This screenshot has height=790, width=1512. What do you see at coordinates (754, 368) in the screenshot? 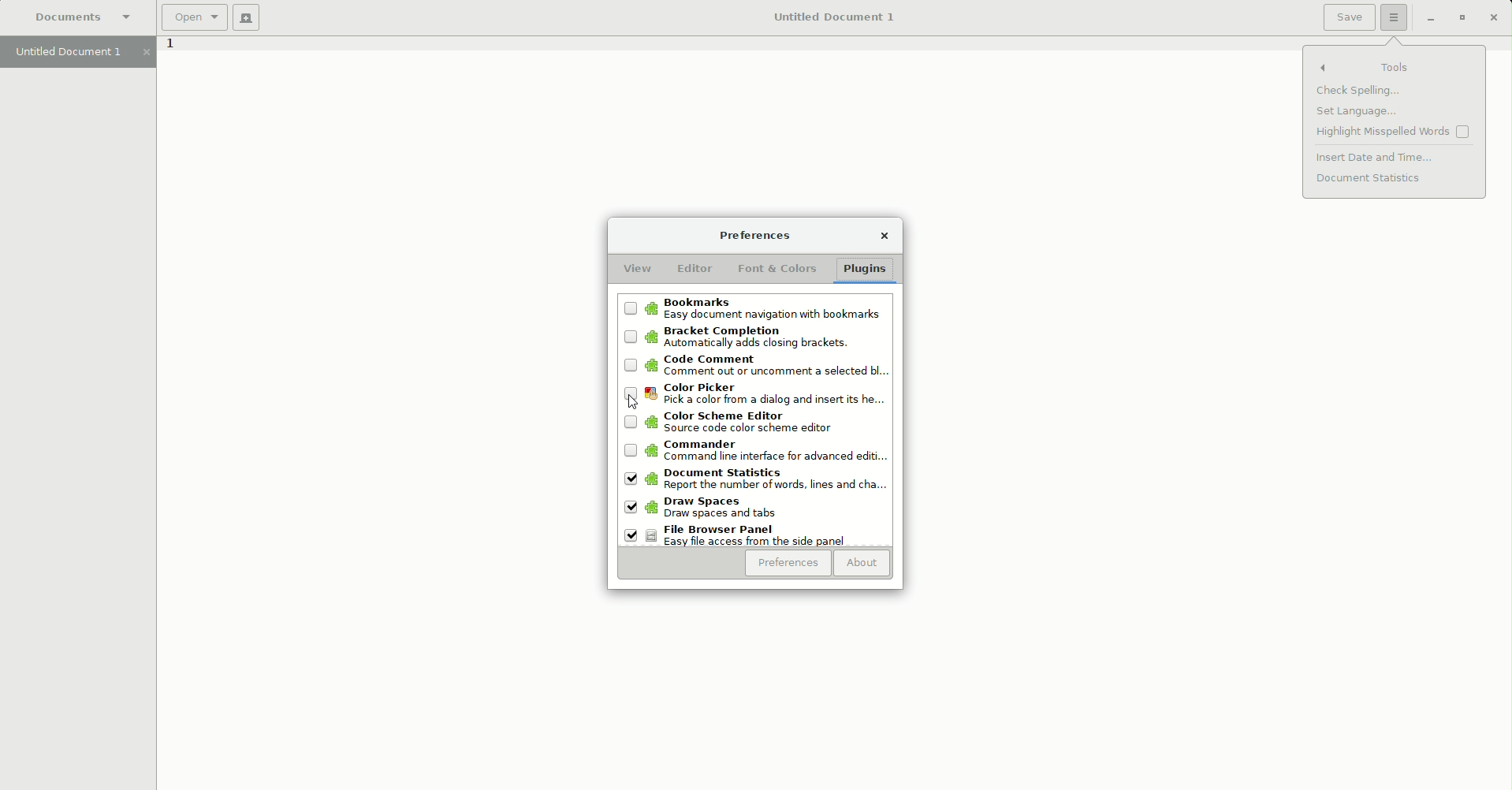
I see `Code comment: Comment out of uncomment a selected bl.` at bounding box center [754, 368].